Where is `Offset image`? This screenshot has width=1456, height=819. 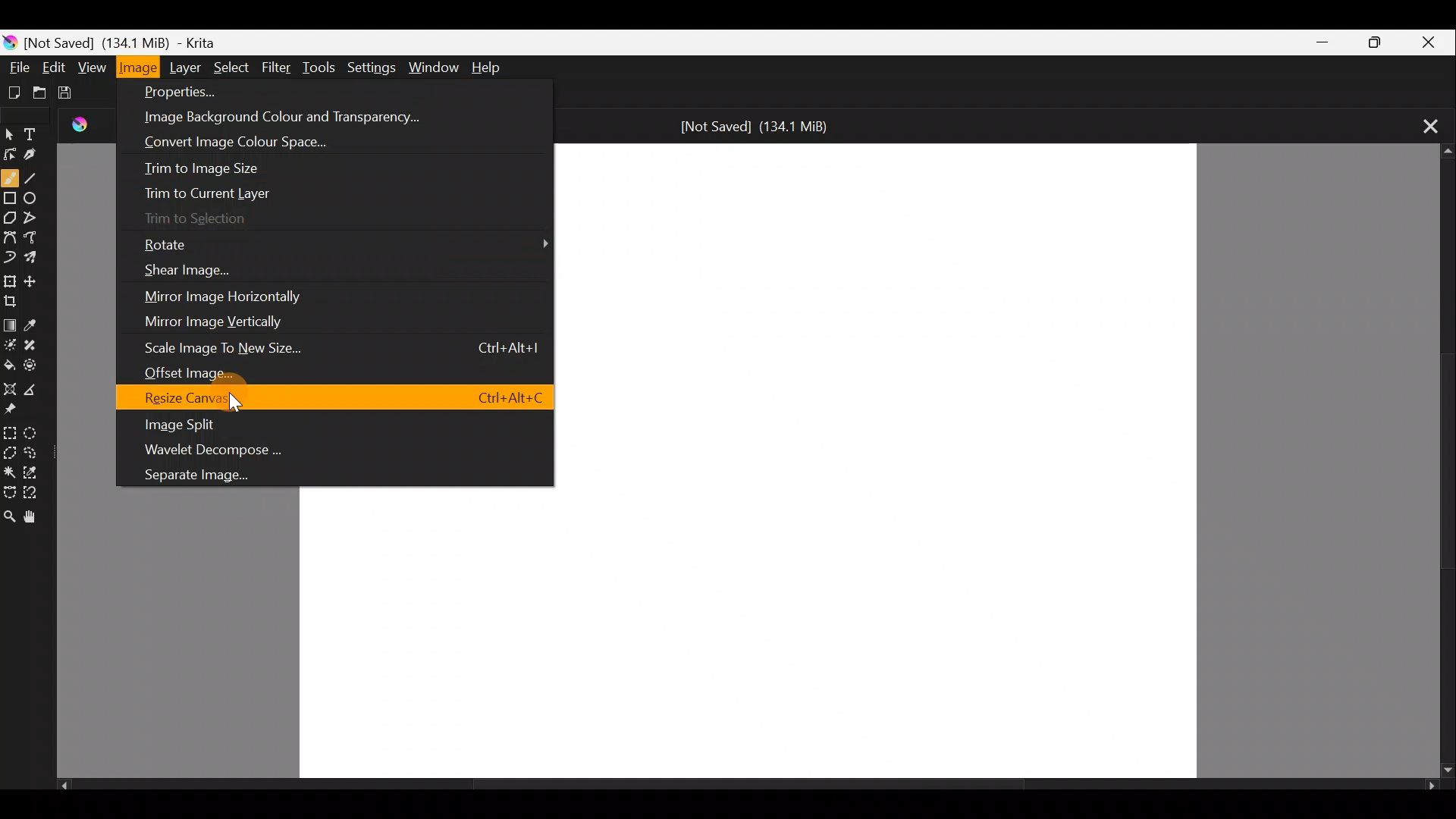
Offset image is located at coordinates (318, 370).